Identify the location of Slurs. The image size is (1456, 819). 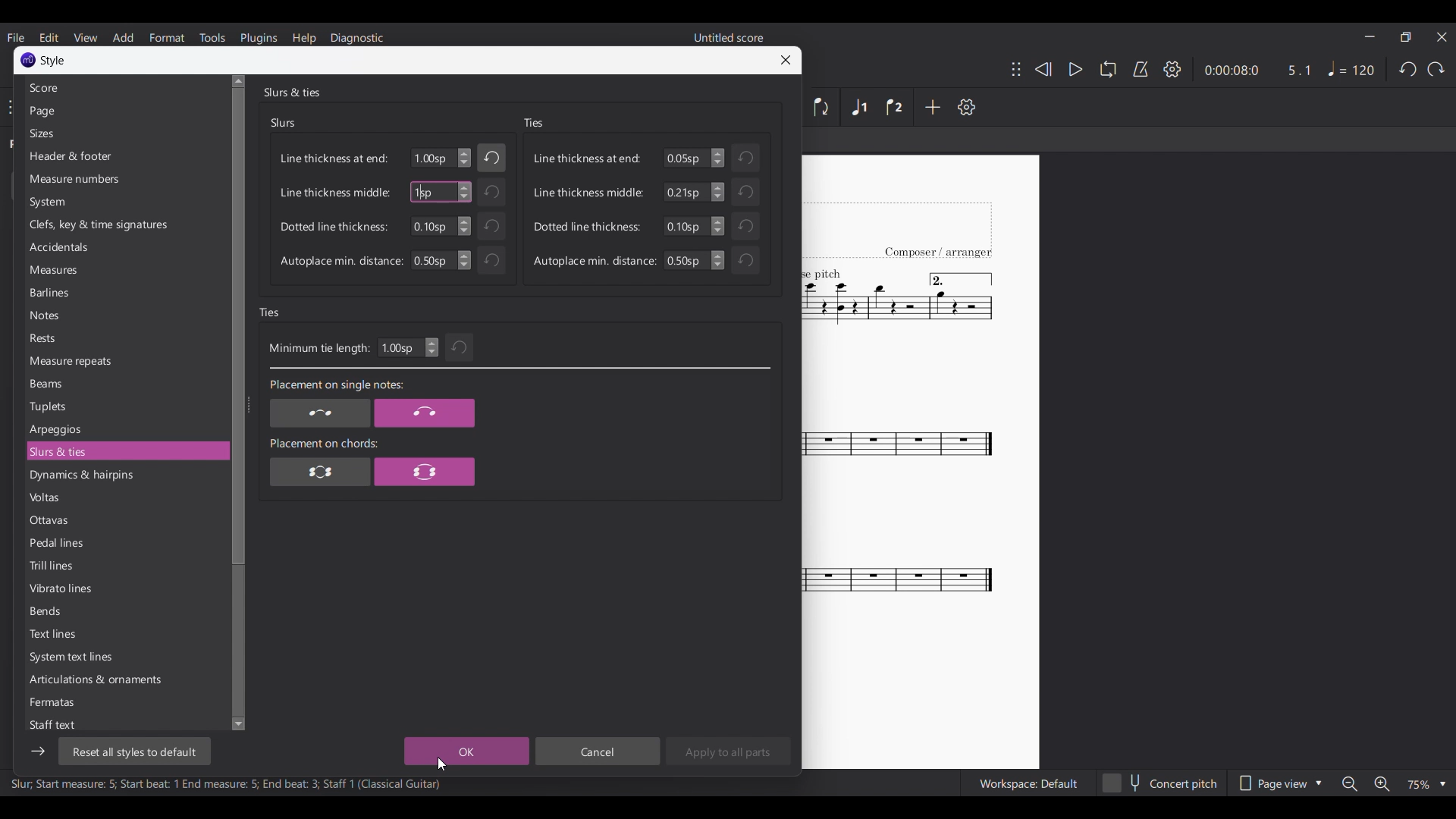
(284, 123).